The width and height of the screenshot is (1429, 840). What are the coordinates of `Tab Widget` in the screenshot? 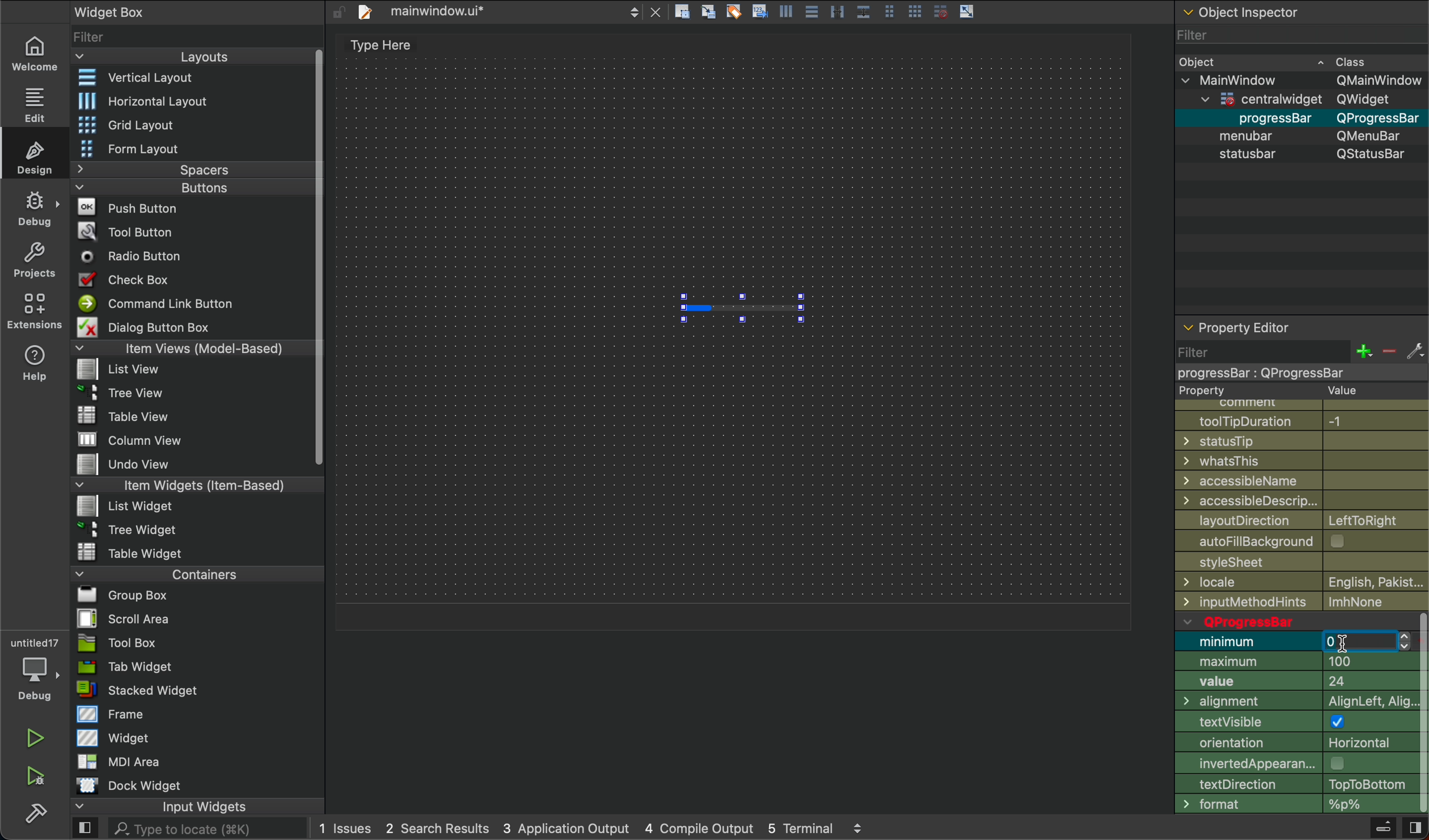 It's located at (122, 667).